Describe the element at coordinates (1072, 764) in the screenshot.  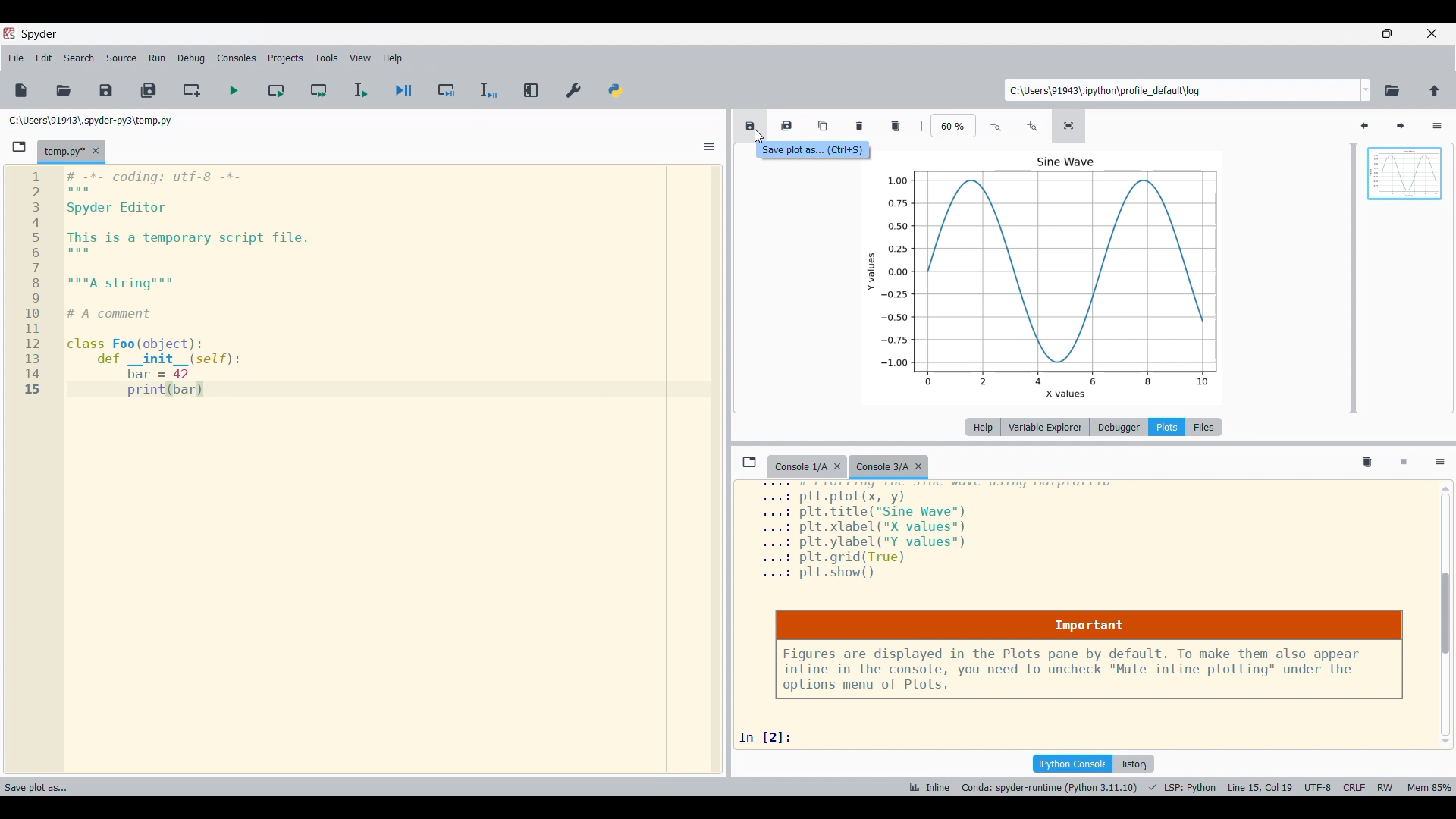
I see `IPython console` at that location.